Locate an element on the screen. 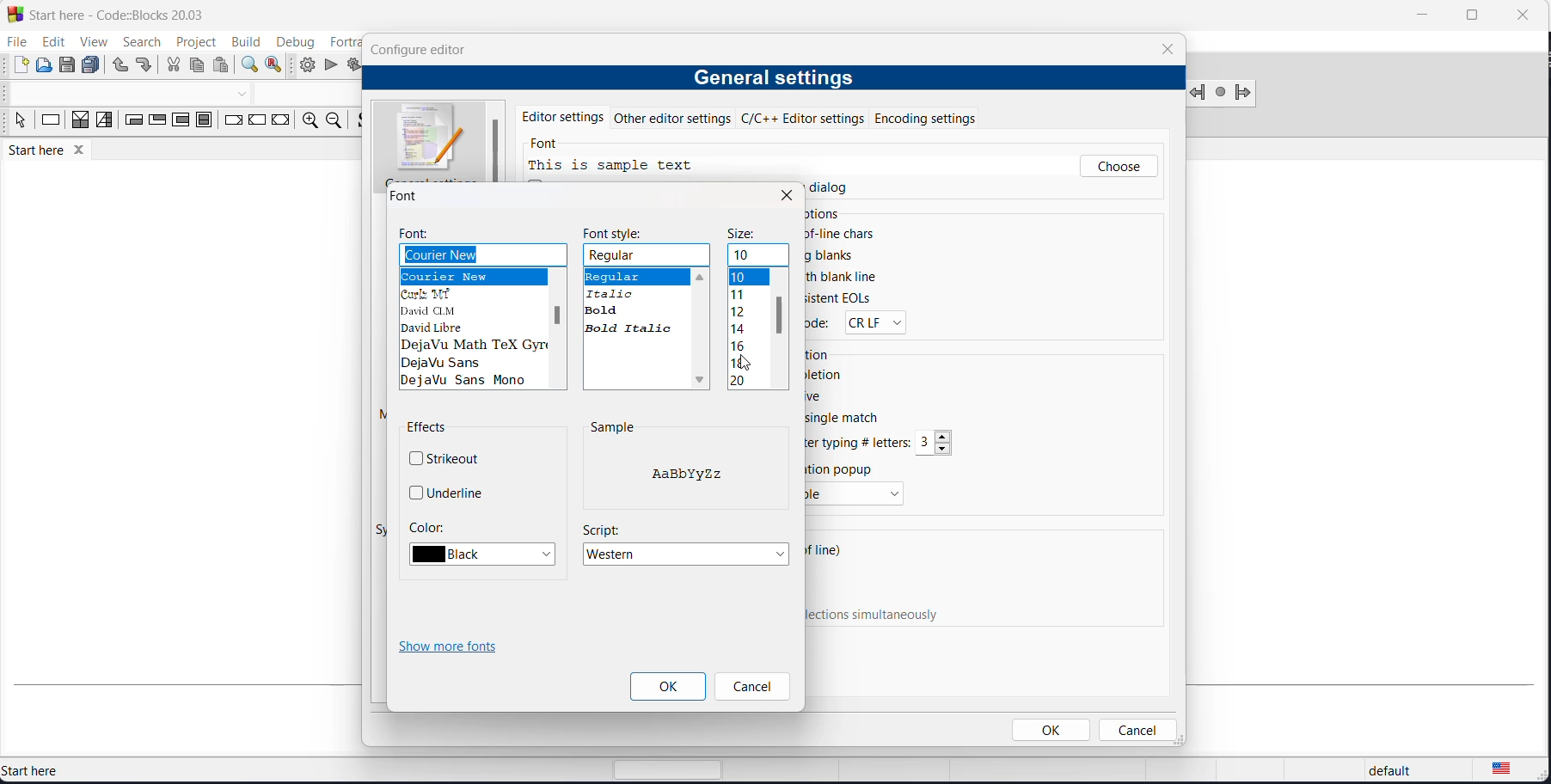  font is located at coordinates (549, 145).